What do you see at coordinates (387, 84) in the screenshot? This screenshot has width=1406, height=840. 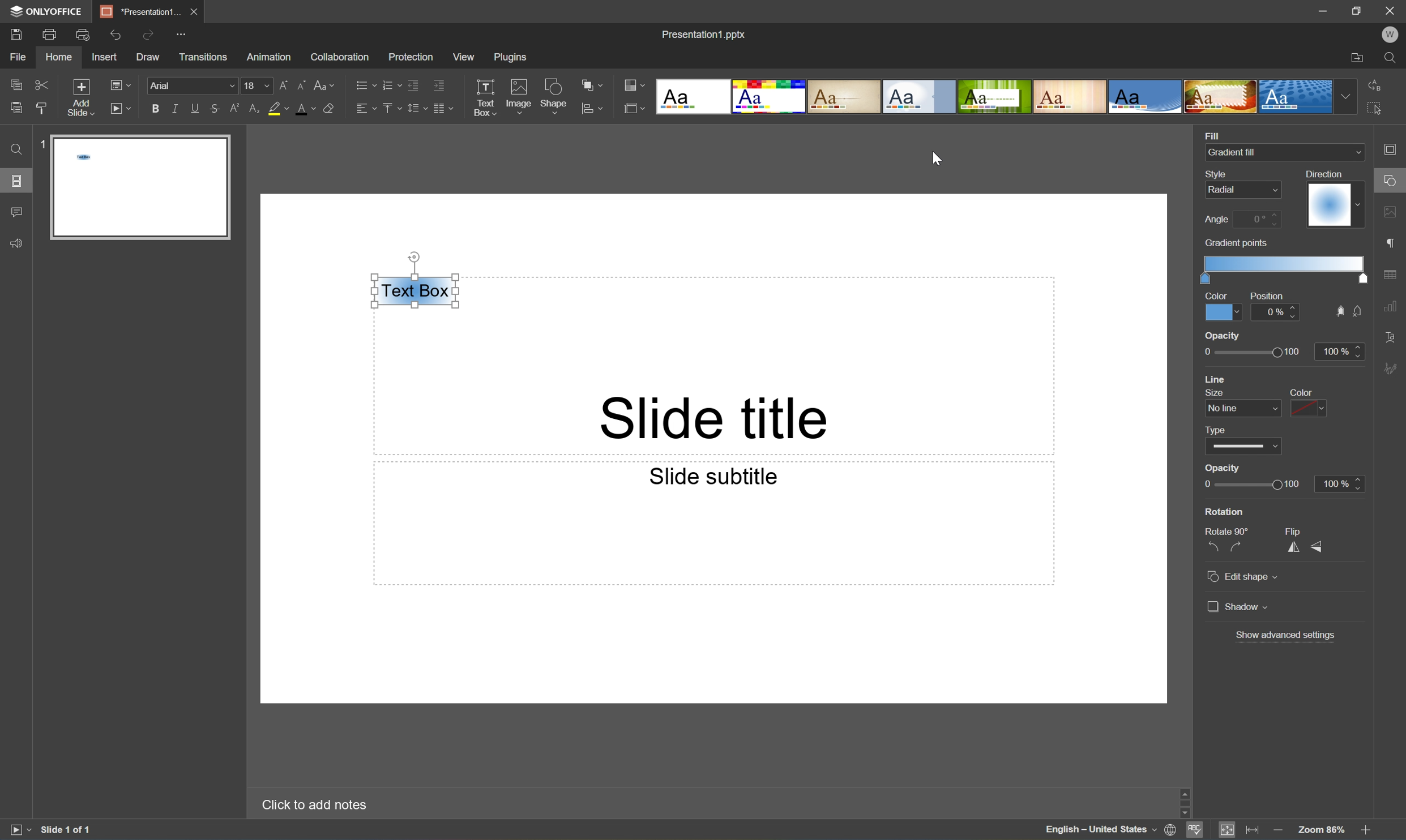 I see `Numbering` at bounding box center [387, 84].